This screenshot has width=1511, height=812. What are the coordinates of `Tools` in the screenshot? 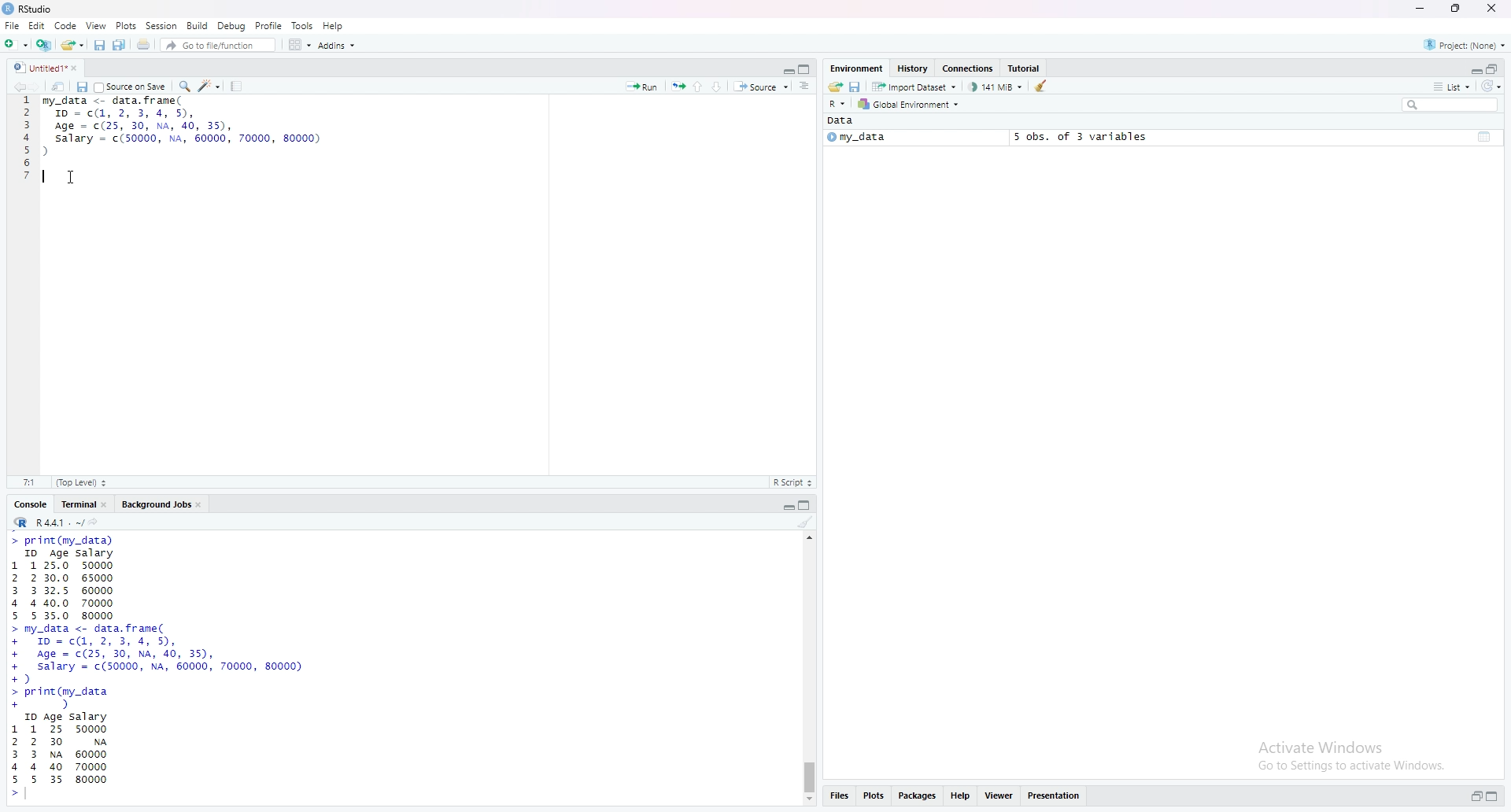 It's located at (303, 24).